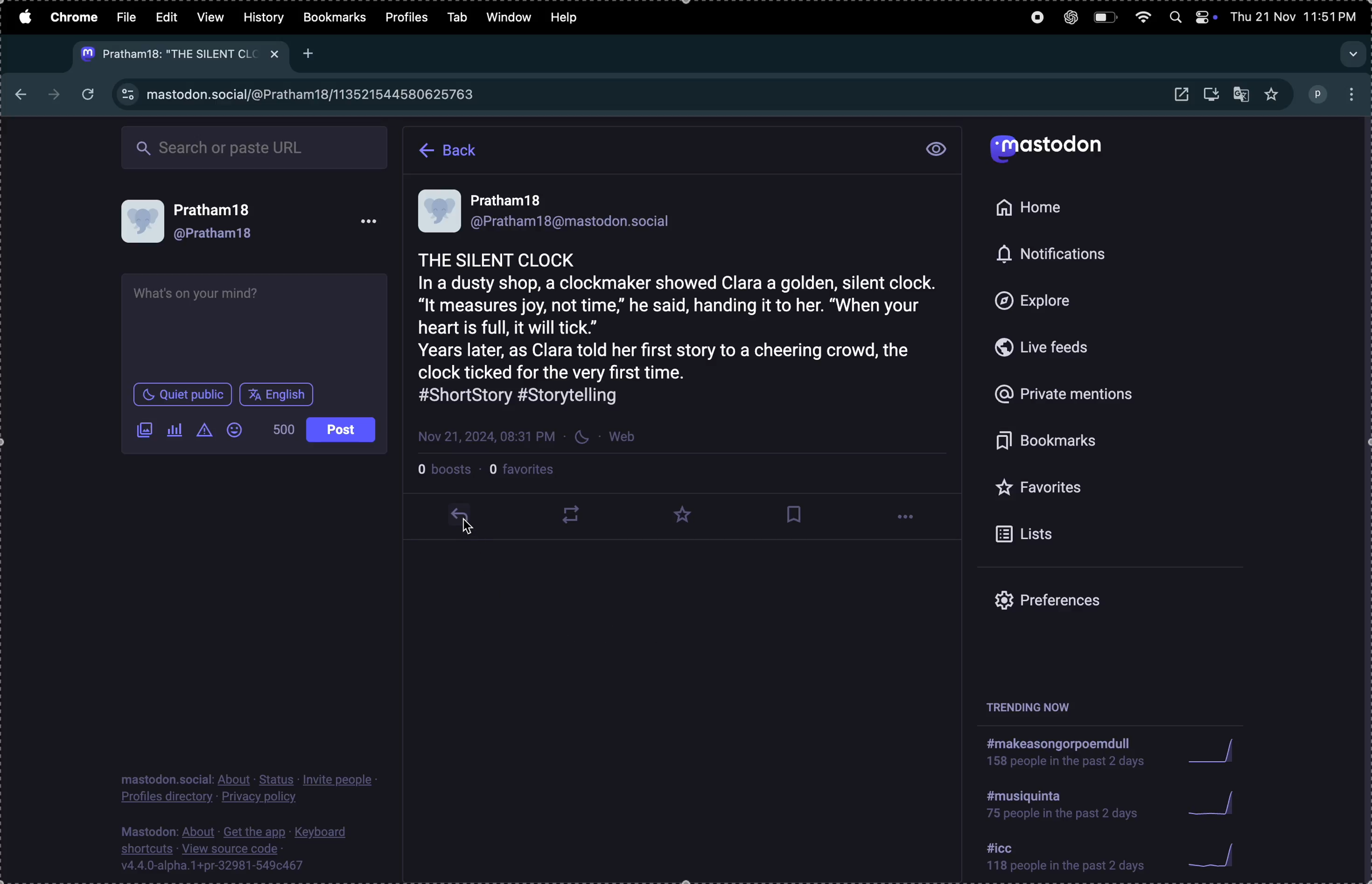 The height and width of the screenshot is (884, 1372). What do you see at coordinates (1058, 347) in the screenshot?
I see `live feed` at bounding box center [1058, 347].